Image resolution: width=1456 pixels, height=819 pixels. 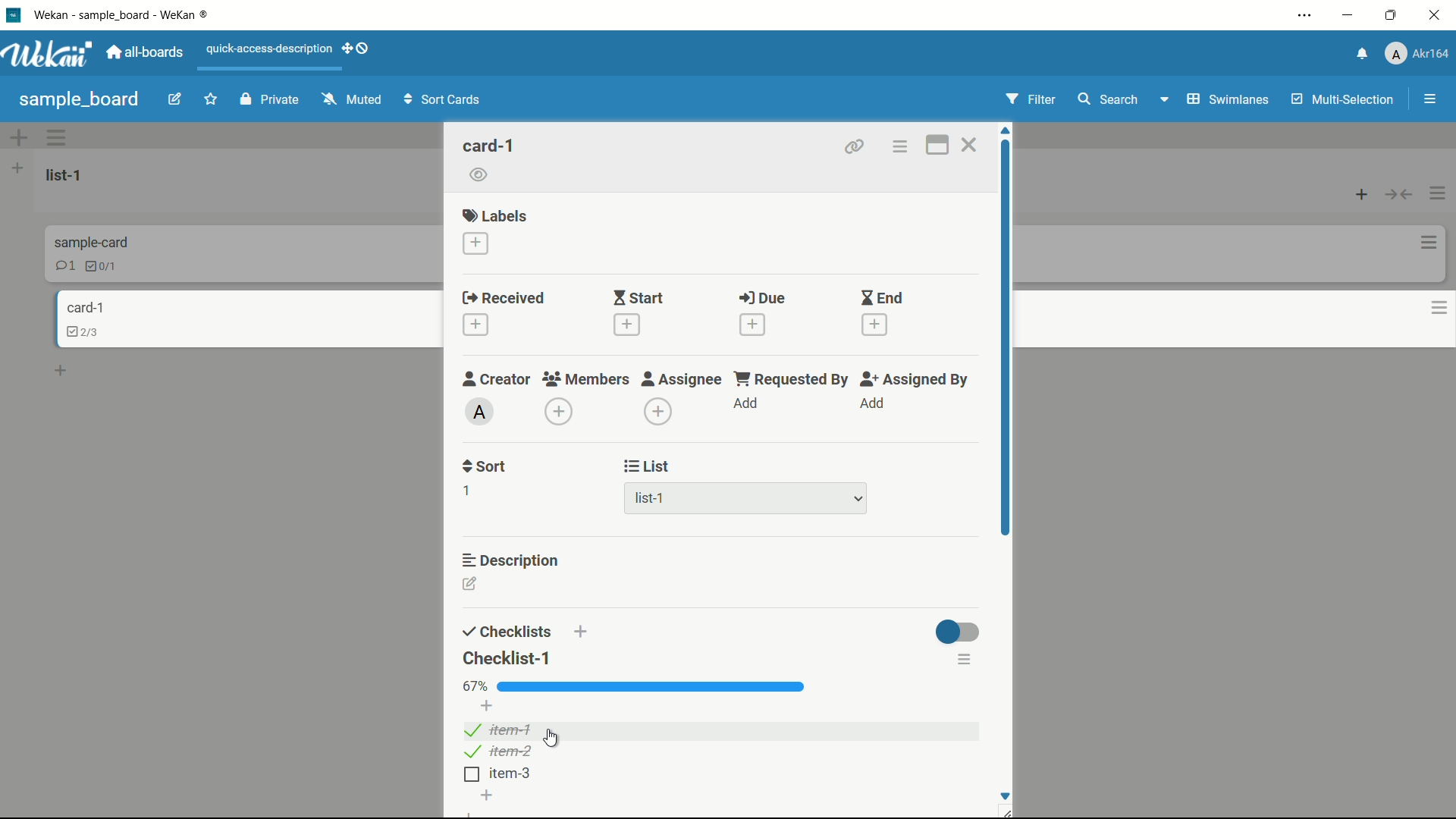 What do you see at coordinates (1420, 55) in the screenshot?
I see `Akr164` at bounding box center [1420, 55].